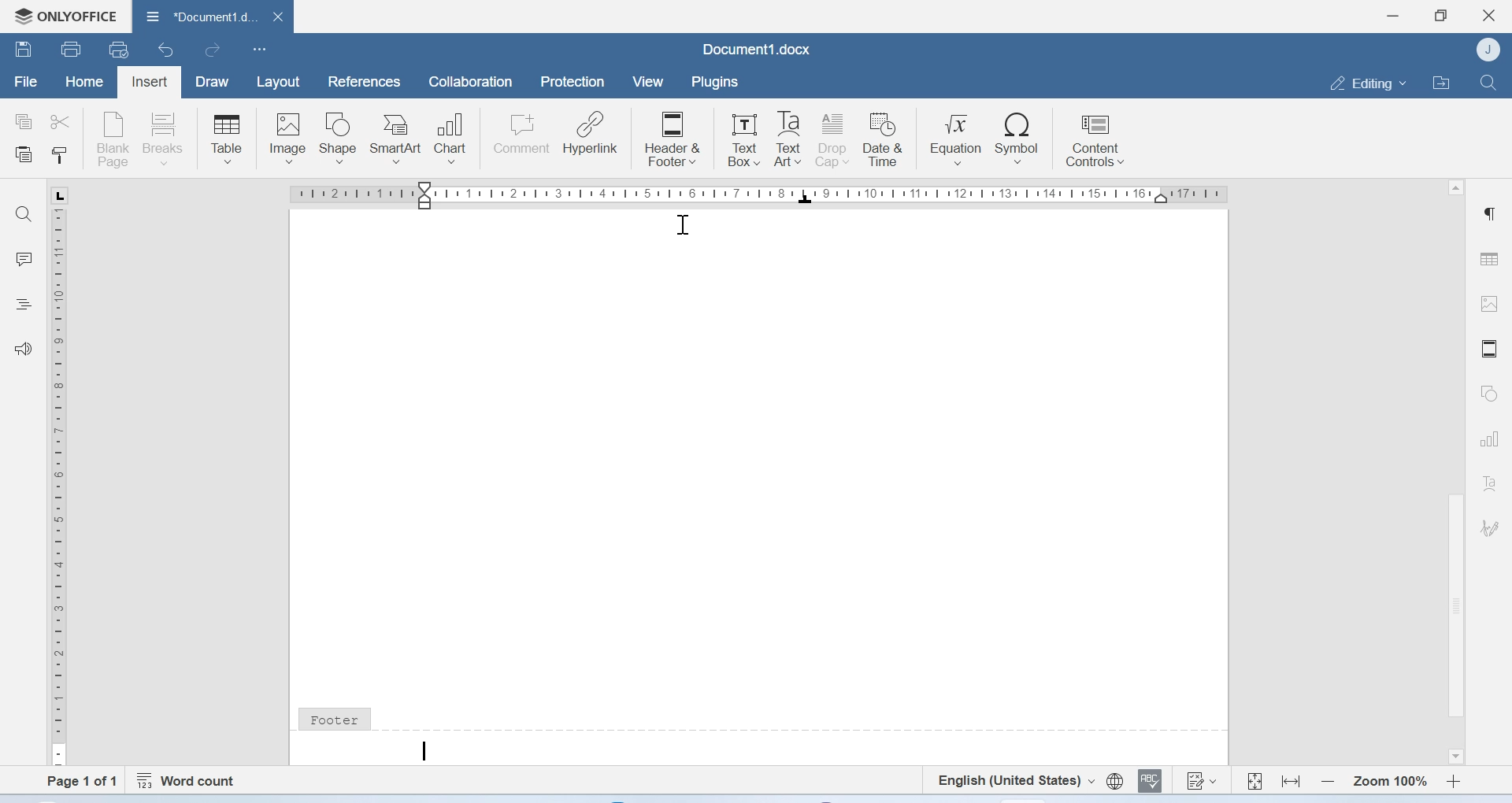  What do you see at coordinates (1488, 394) in the screenshot?
I see `Shapes` at bounding box center [1488, 394].